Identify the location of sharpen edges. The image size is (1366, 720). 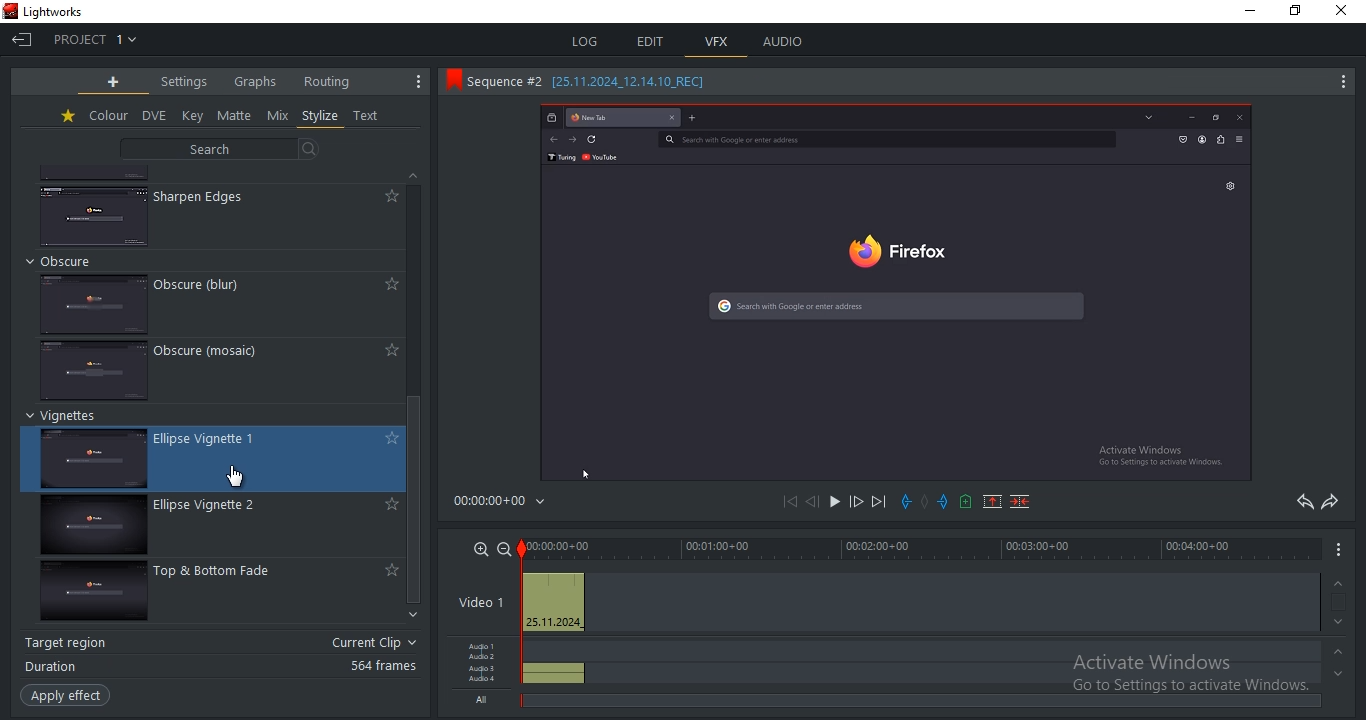
(205, 197).